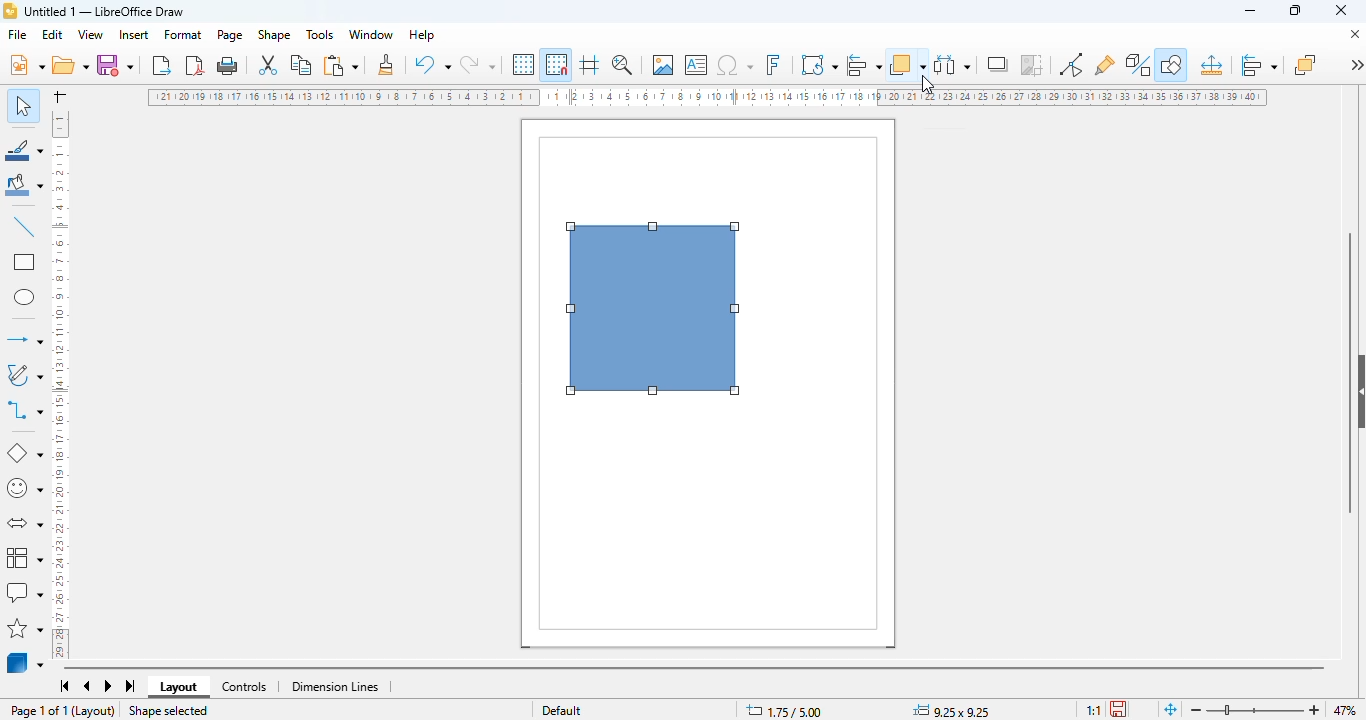 This screenshot has width=1366, height=720. I want to click on toggle point edit mode, so click(1071, 65).